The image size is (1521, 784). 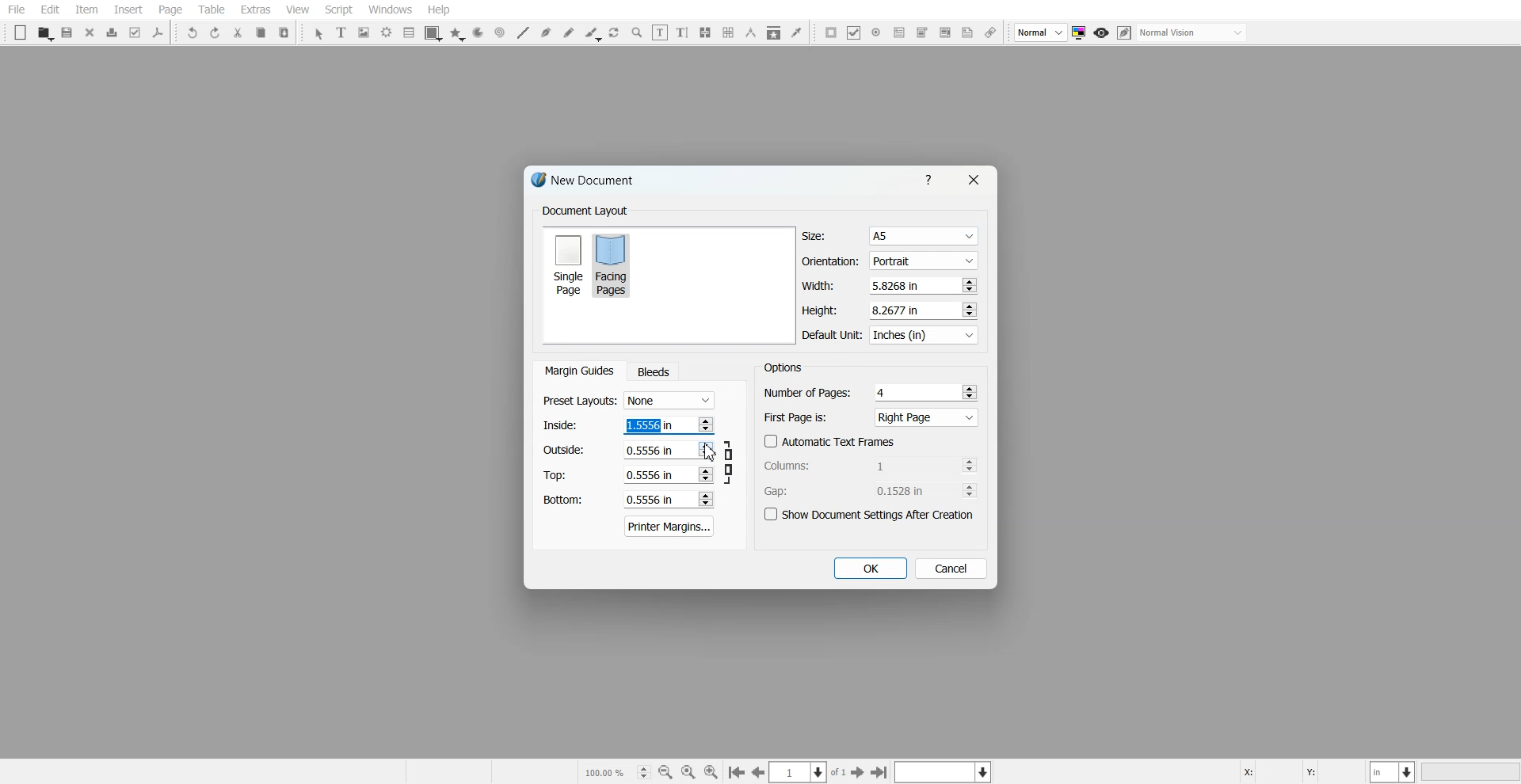 I want to click on Page, so click(x=170, y=10).